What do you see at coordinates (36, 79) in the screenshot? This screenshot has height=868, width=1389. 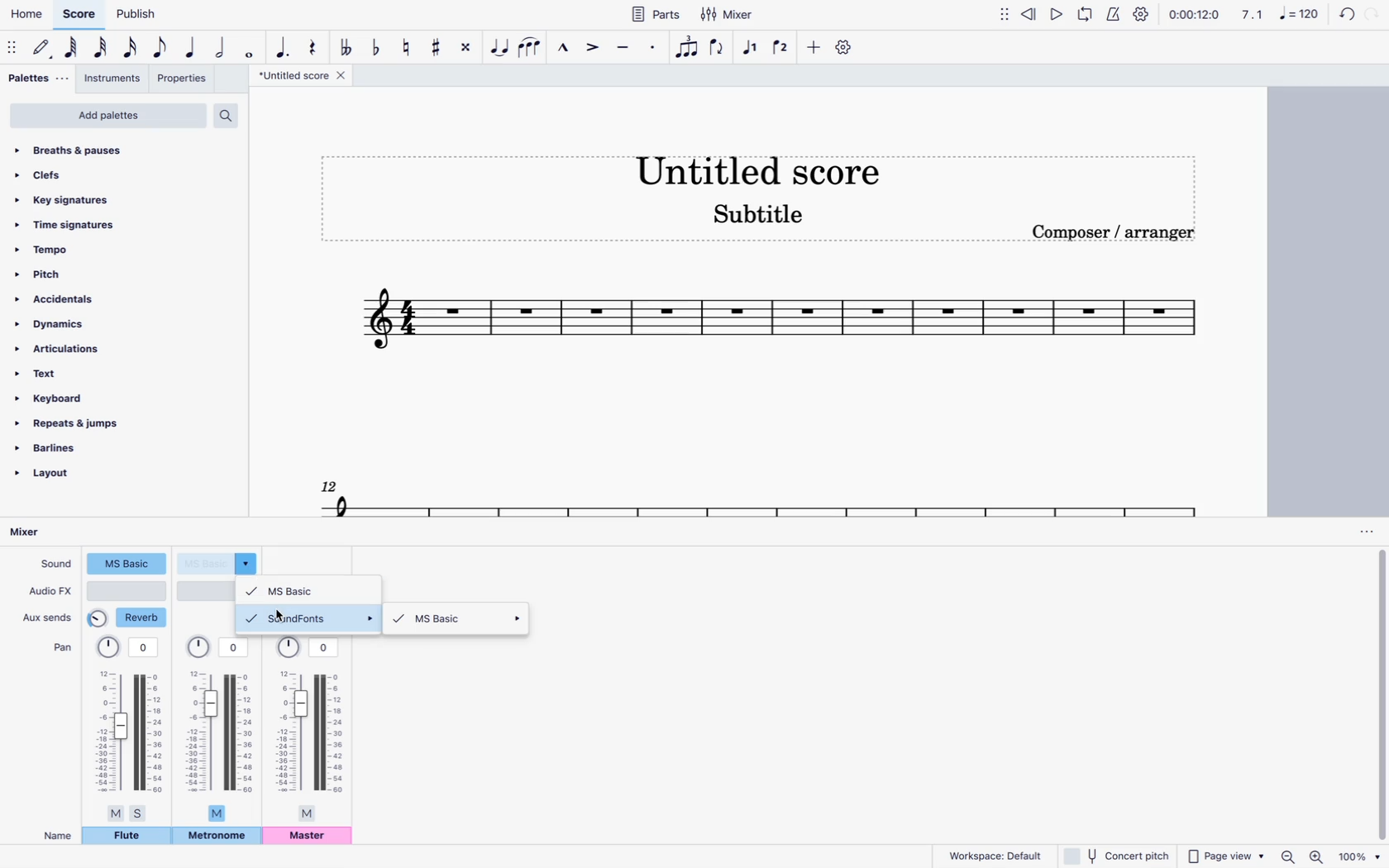 I see `palettes` at bounding box center [36, 79].